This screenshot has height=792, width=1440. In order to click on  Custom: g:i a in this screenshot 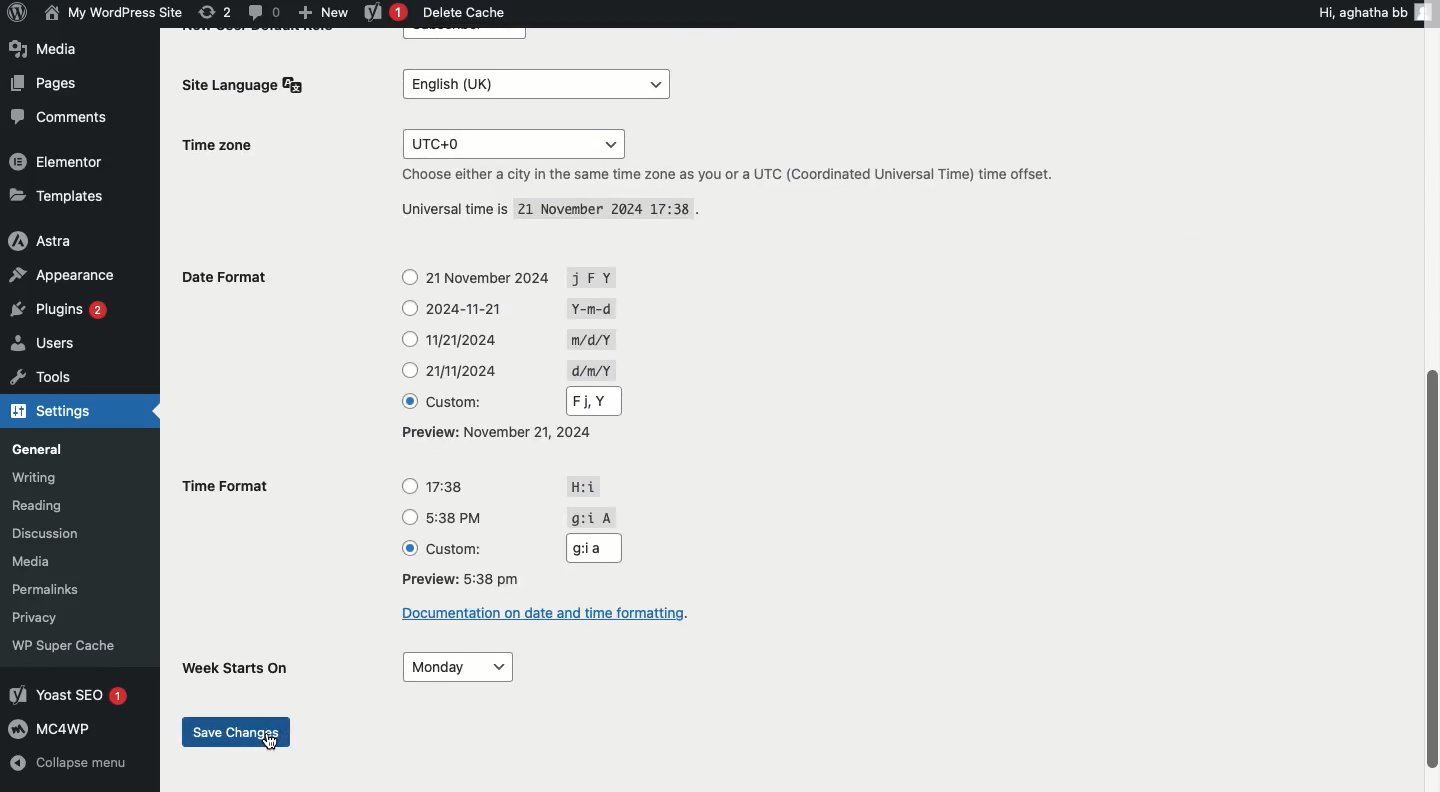, I will do `click(509, 548)`.